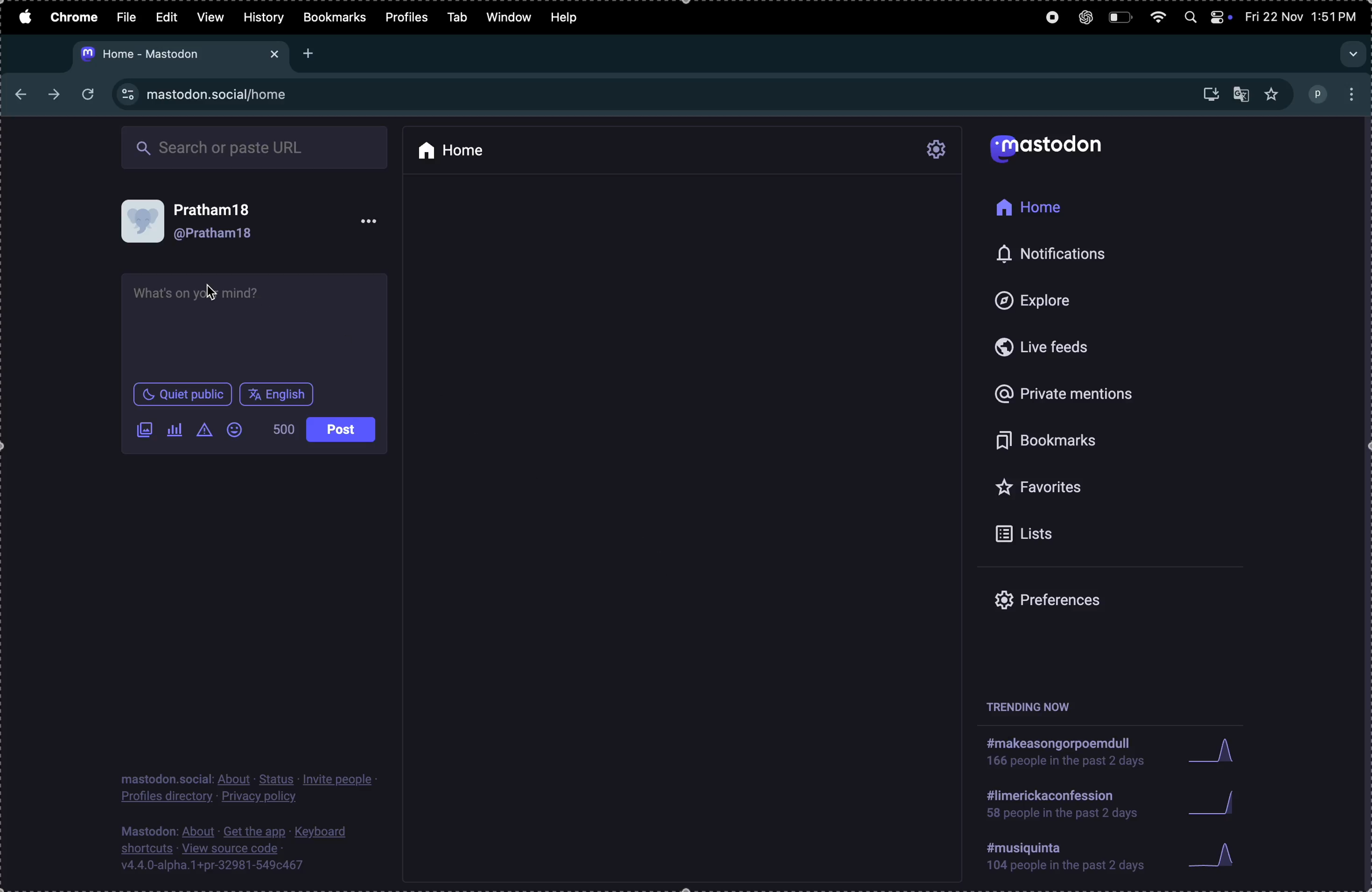  What do you see at coordinates (265, 17) in the screenshot?
I see `history` at bounding box center [265, 17].